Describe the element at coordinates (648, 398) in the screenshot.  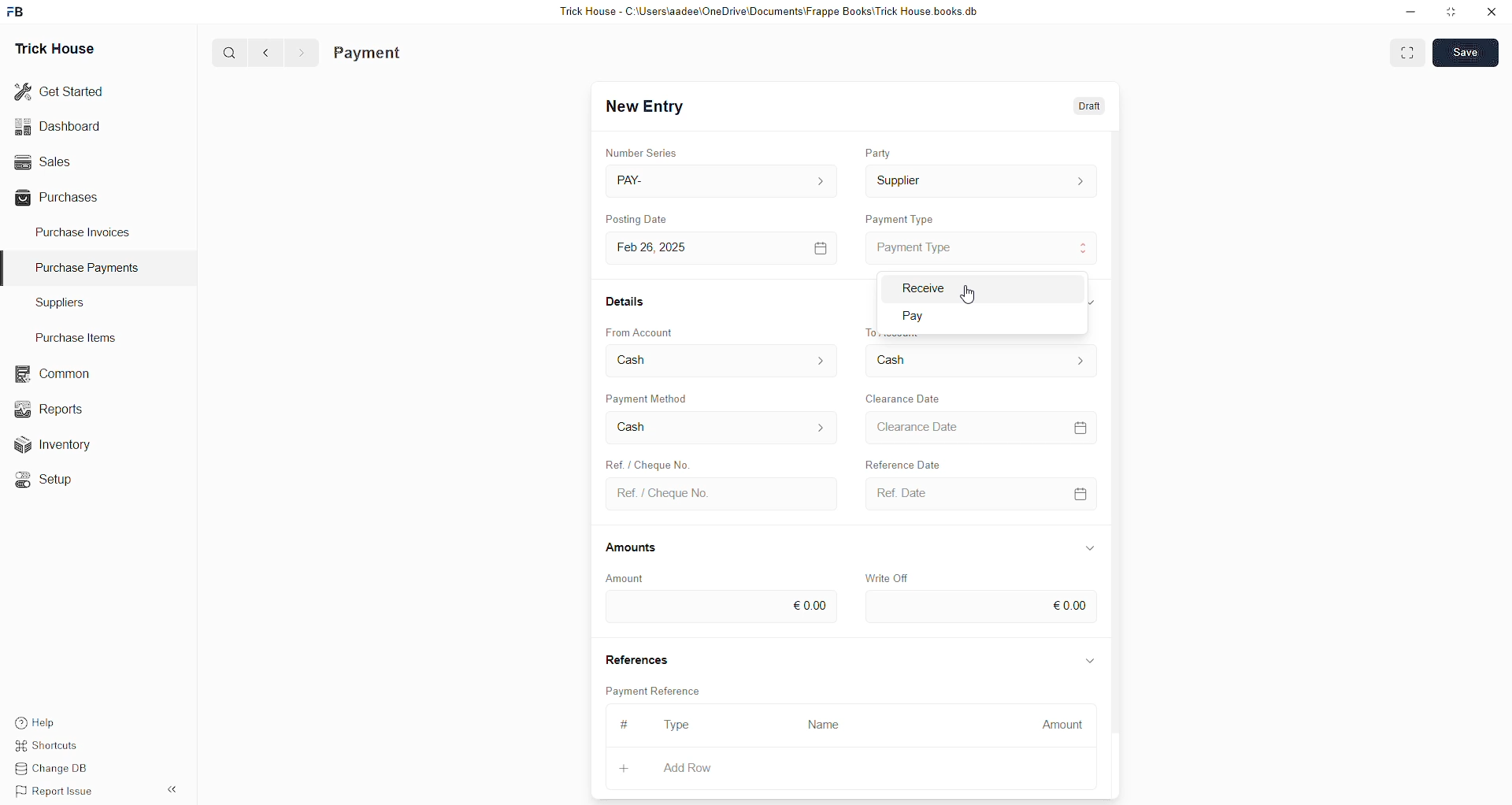
I see `Payment Method` at that location.